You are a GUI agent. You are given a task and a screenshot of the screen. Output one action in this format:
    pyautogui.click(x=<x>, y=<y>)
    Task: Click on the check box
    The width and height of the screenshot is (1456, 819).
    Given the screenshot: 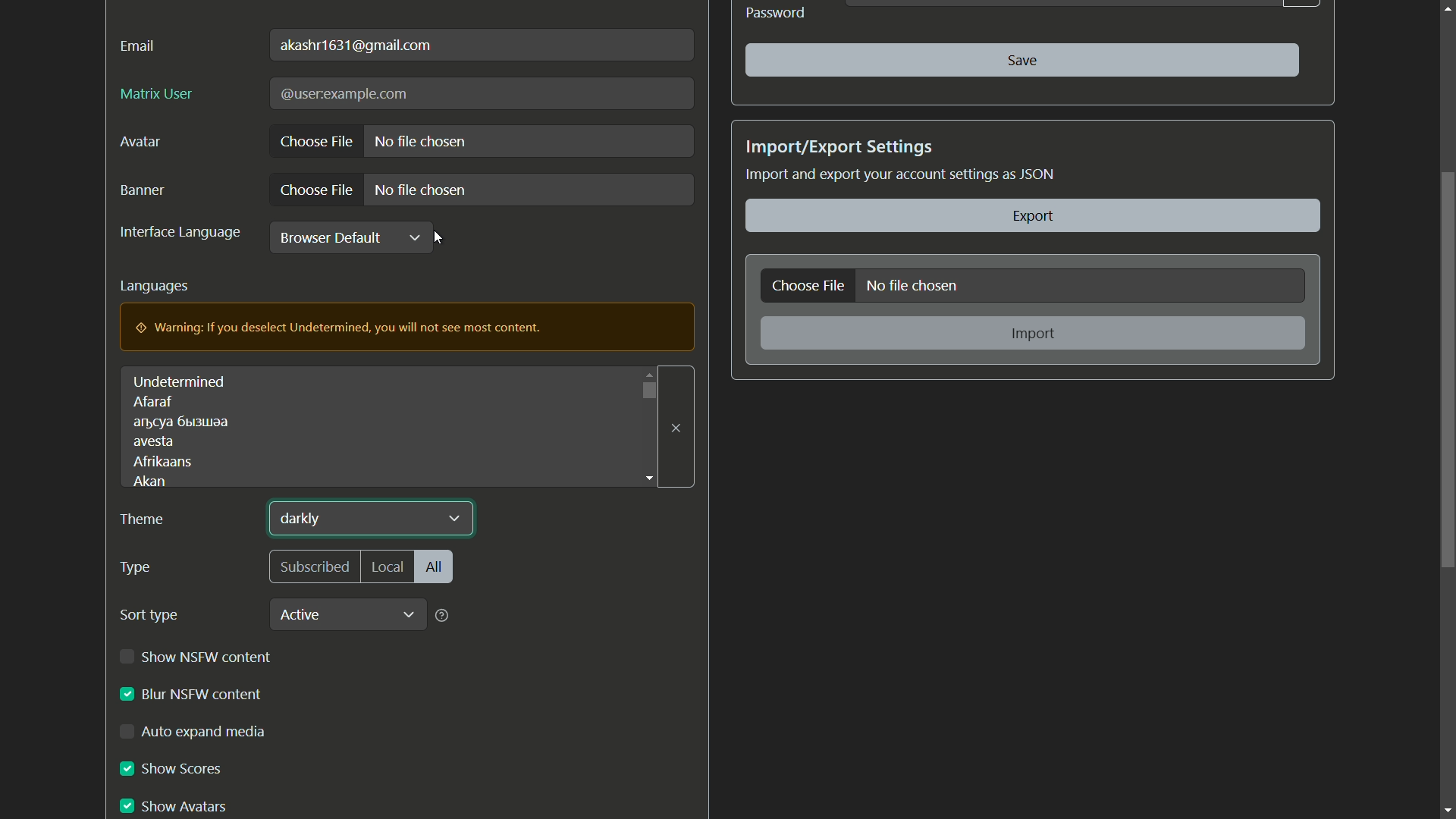 What is the action you would take?
    pyautogui.click(x=127, y=733)
    